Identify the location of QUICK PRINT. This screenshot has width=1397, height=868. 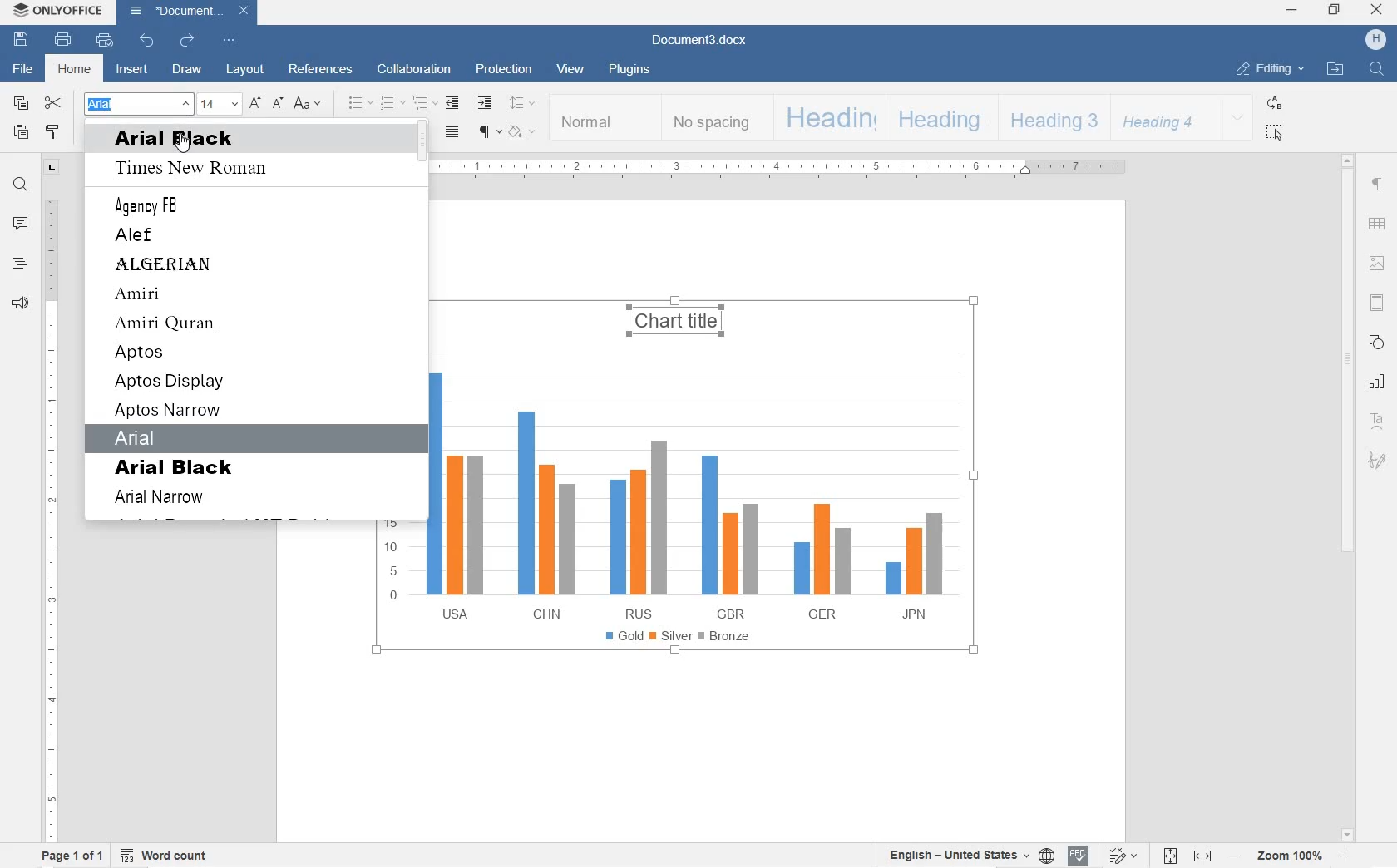
(101, 41).